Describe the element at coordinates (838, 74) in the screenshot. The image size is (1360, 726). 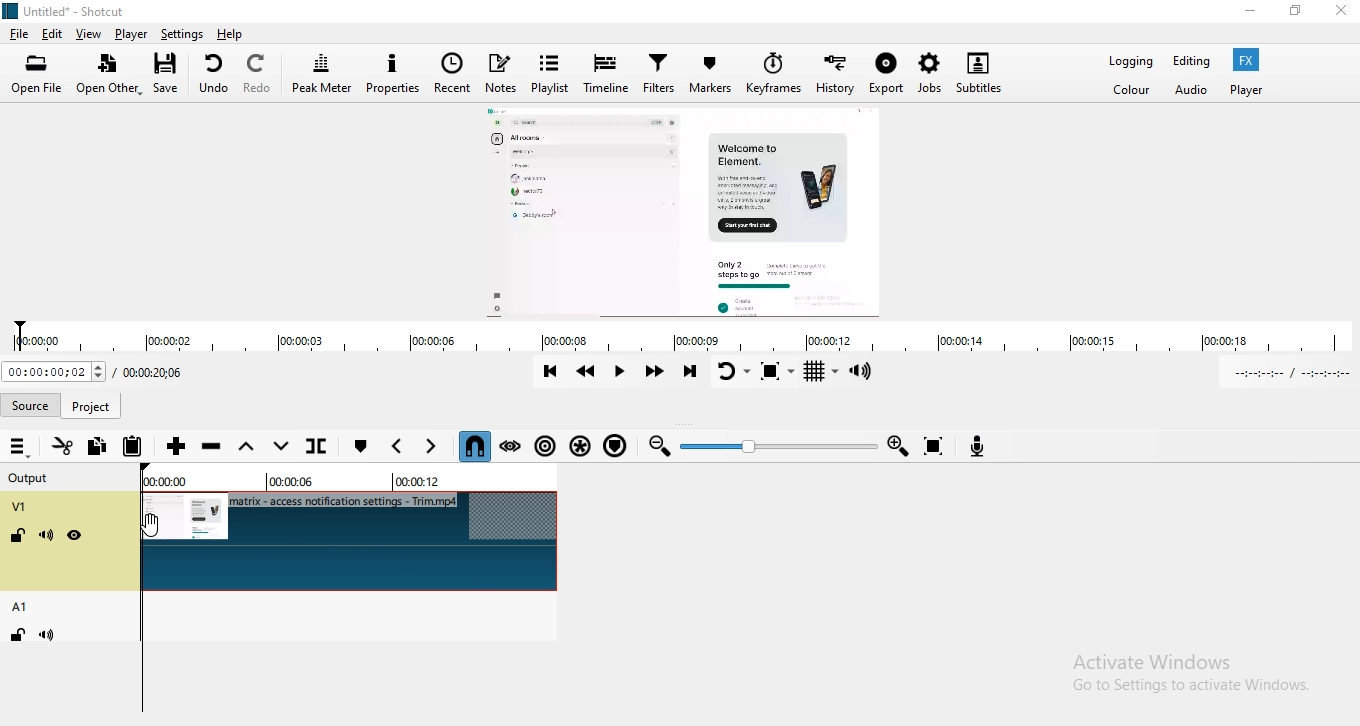
I see `History` at that location.